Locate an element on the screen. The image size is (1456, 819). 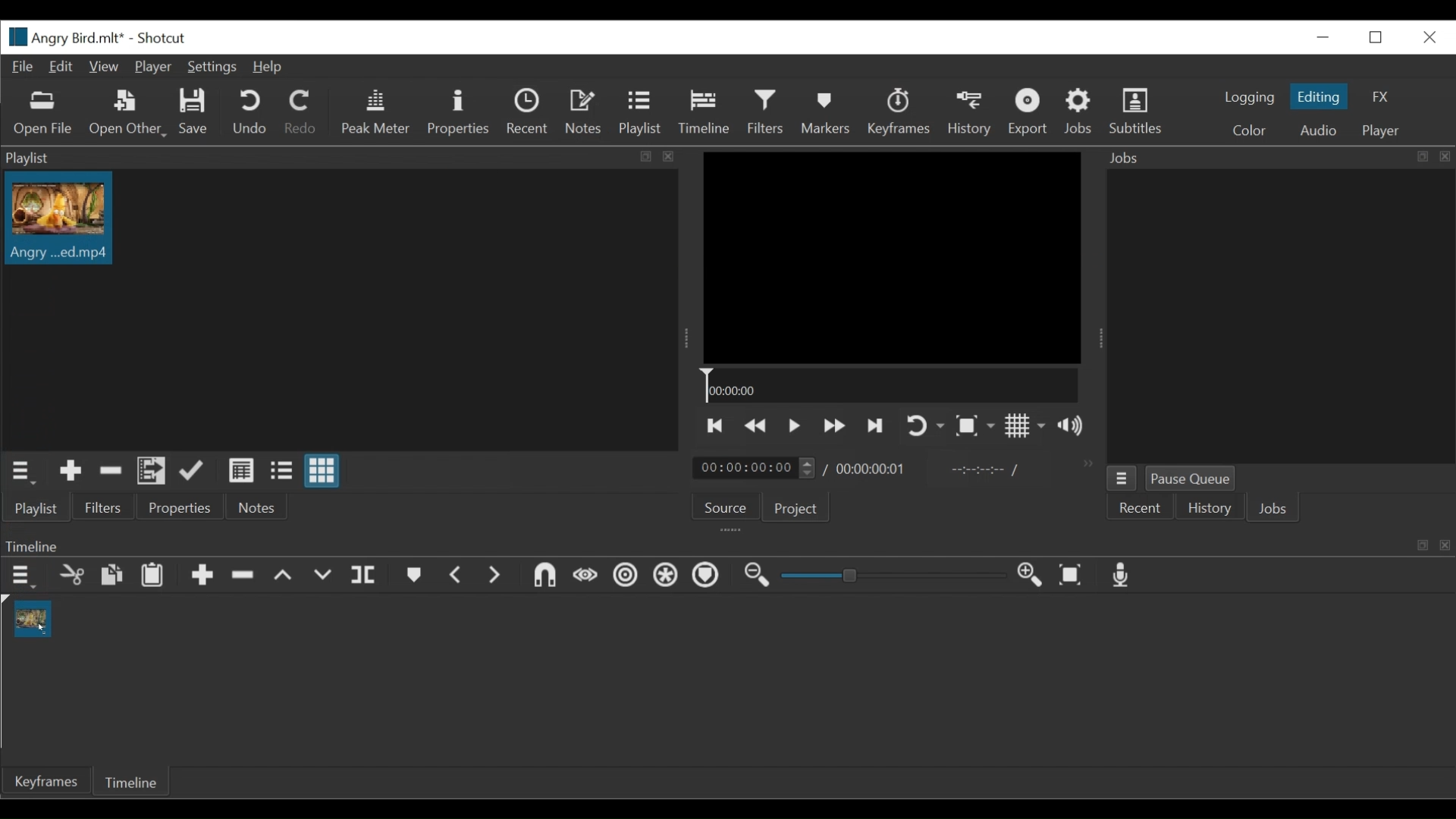
Toggle player looping is located at coordinates (923, 425).